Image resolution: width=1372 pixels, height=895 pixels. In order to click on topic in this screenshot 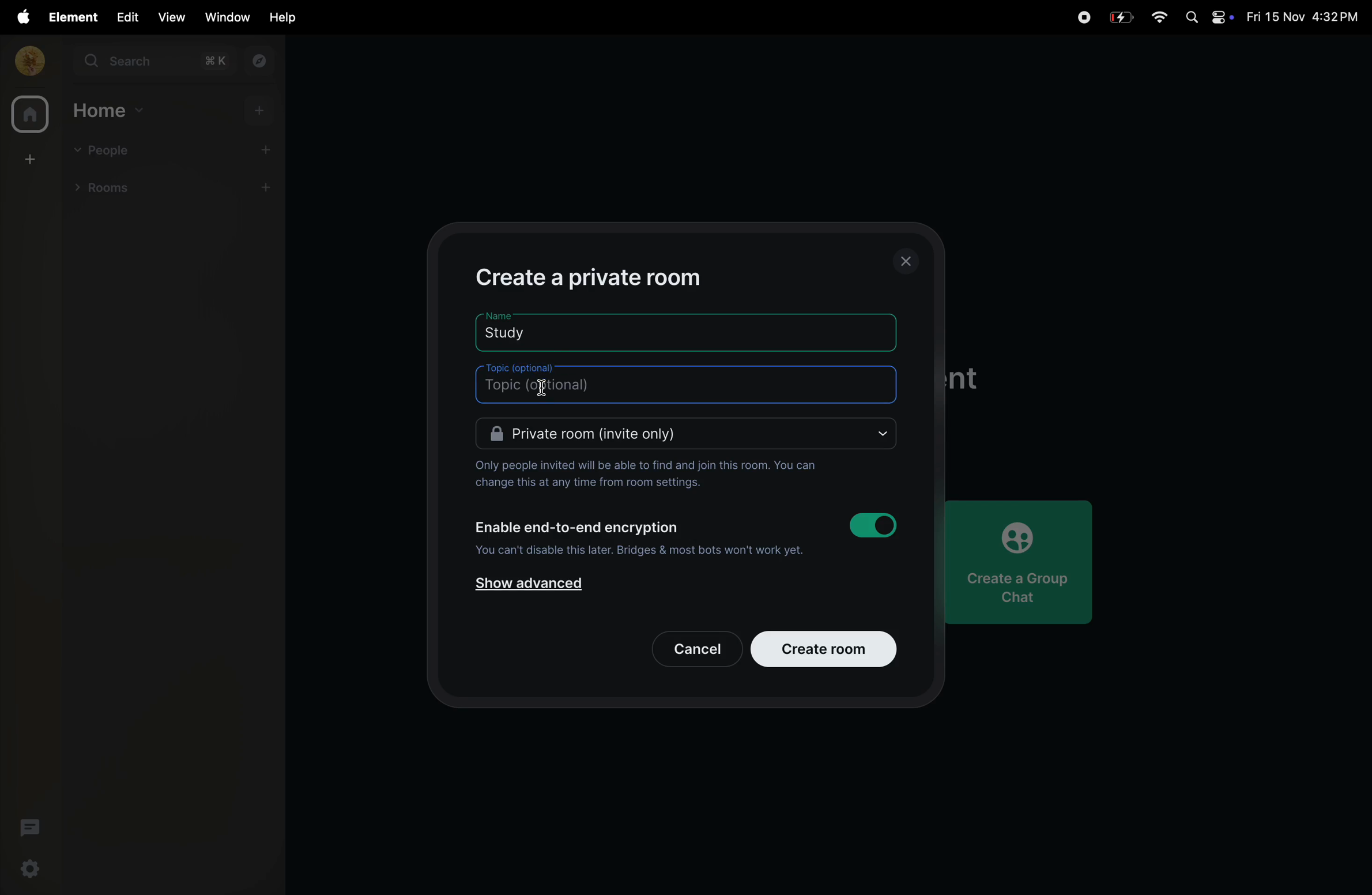, I will do `click(691, 383)`.